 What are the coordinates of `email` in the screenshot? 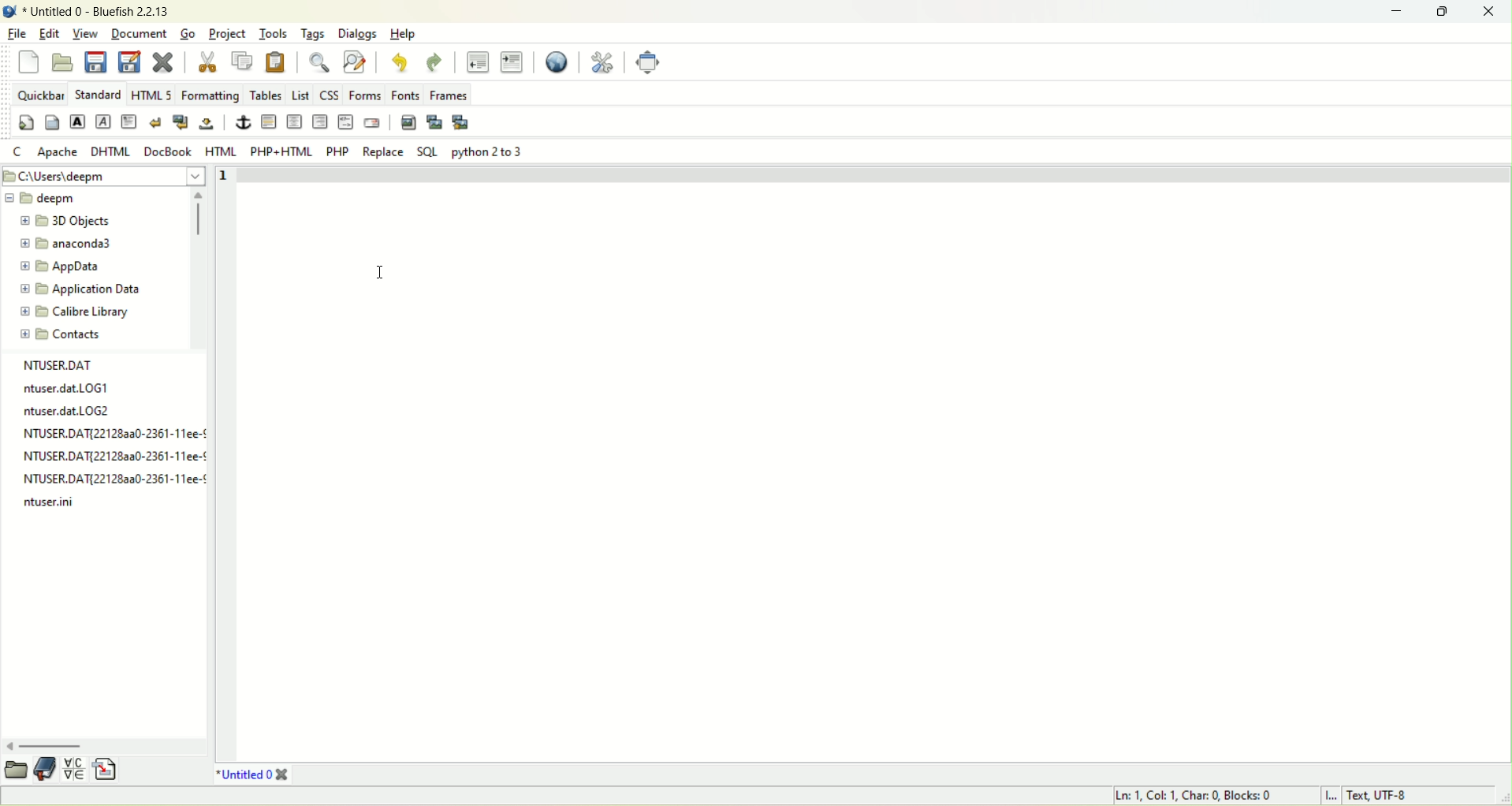 It's located at (371, 123).